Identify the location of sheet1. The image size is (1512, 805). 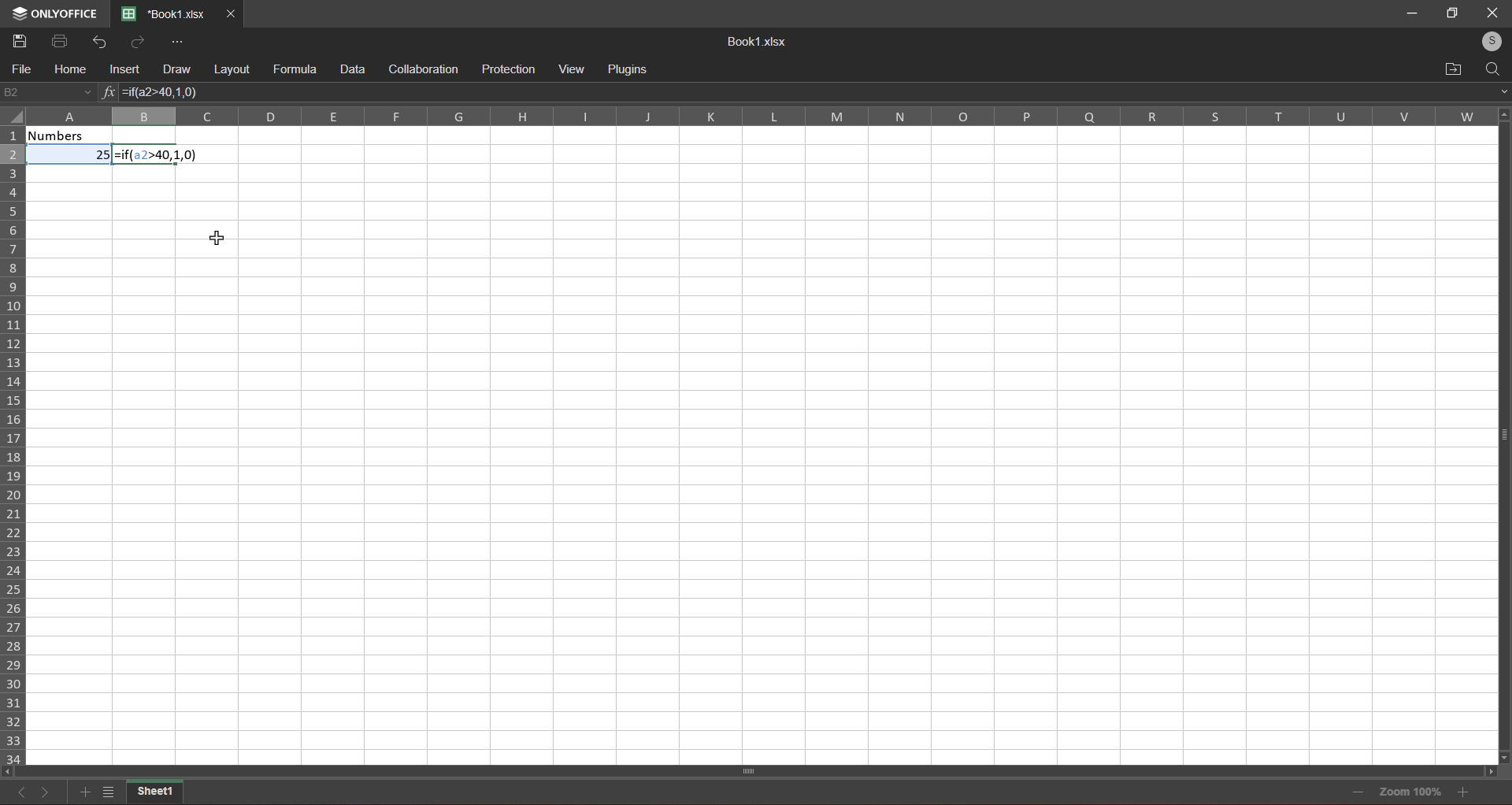
(157, 793).